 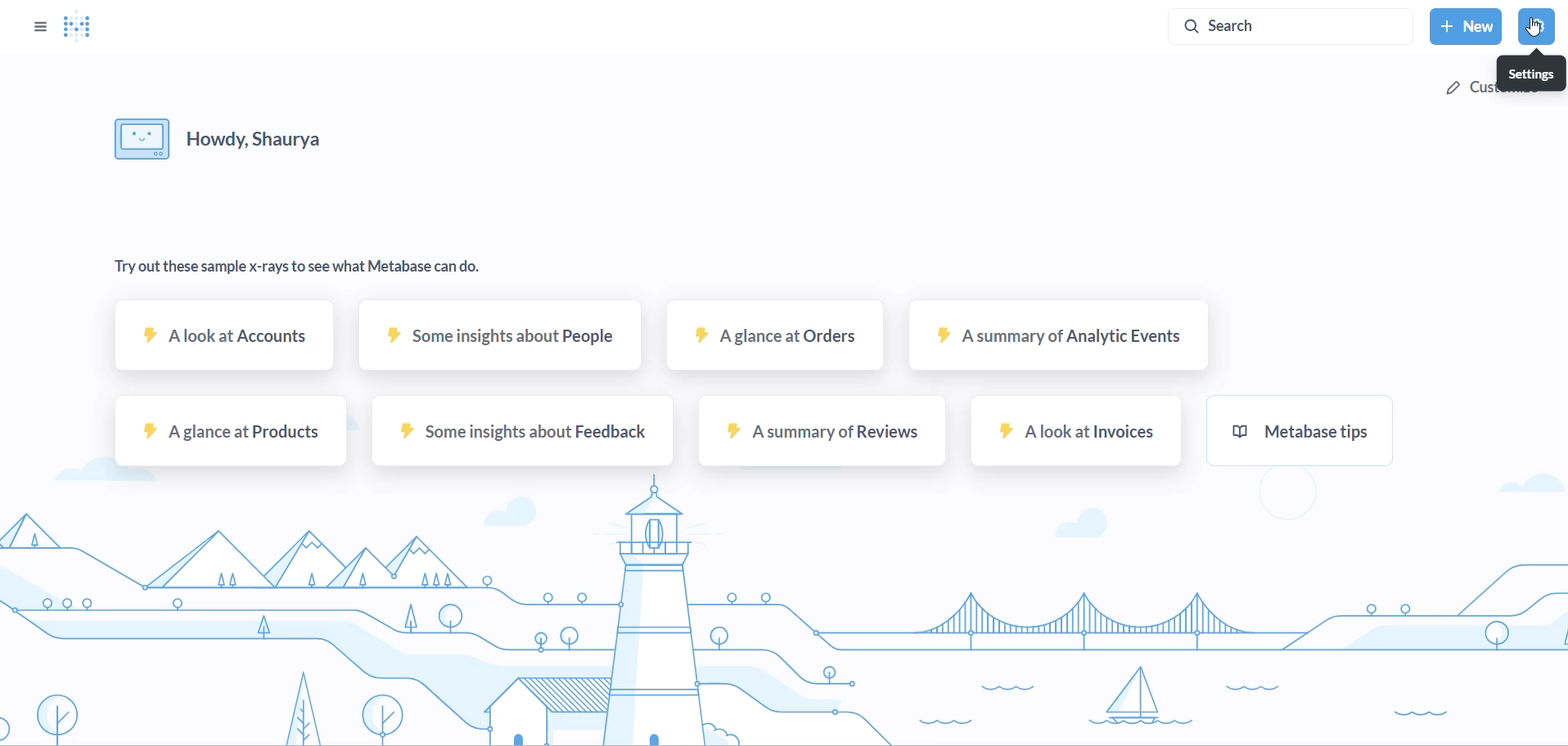 What do you see at coordinates (210, 339) in the screenshot?
I see `A look at accounts sample` at bounding box center [210, 339].